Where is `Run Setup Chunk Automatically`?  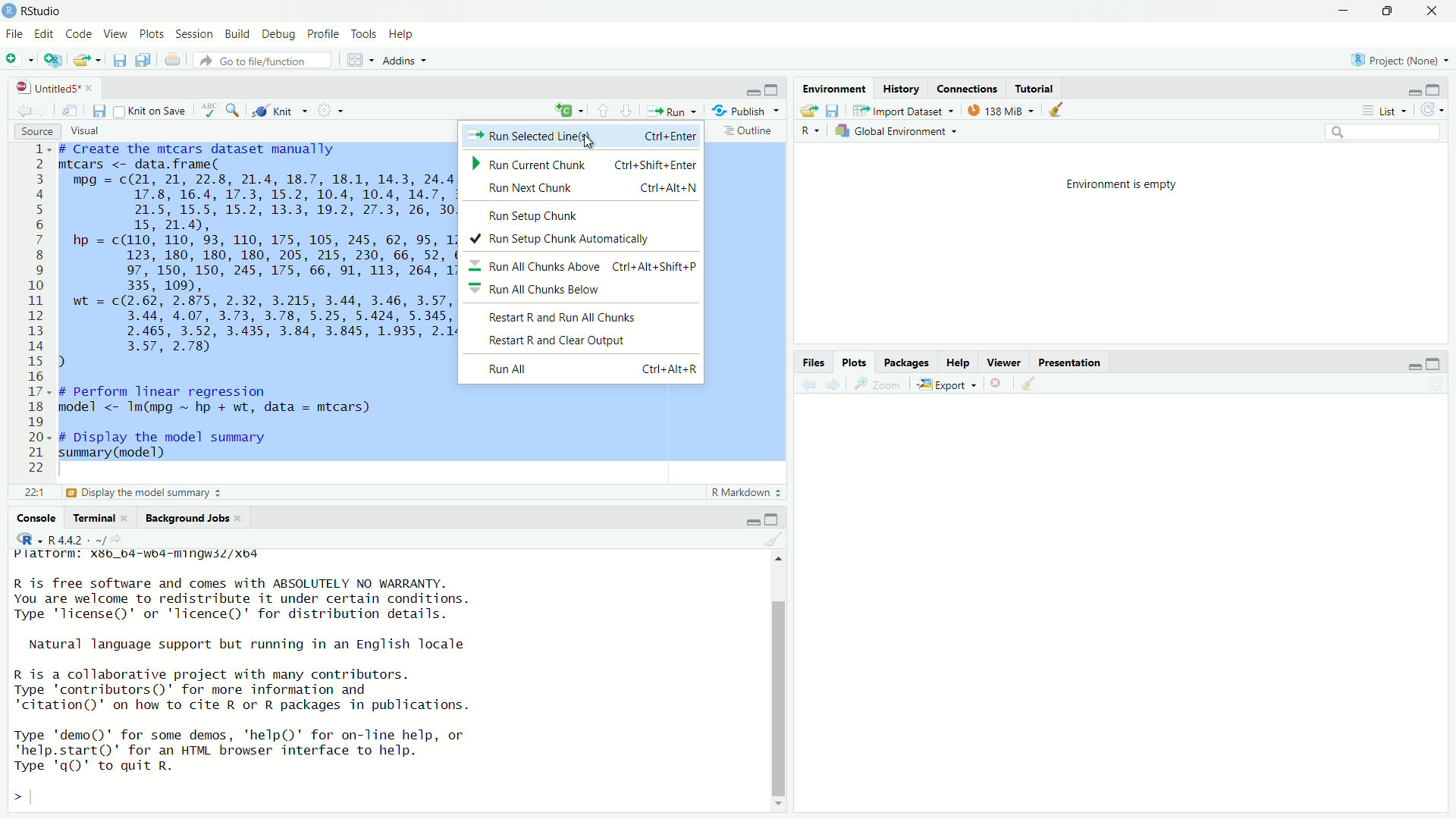 Run Setup Chunk Automatically is located at coordinates (554, 240).